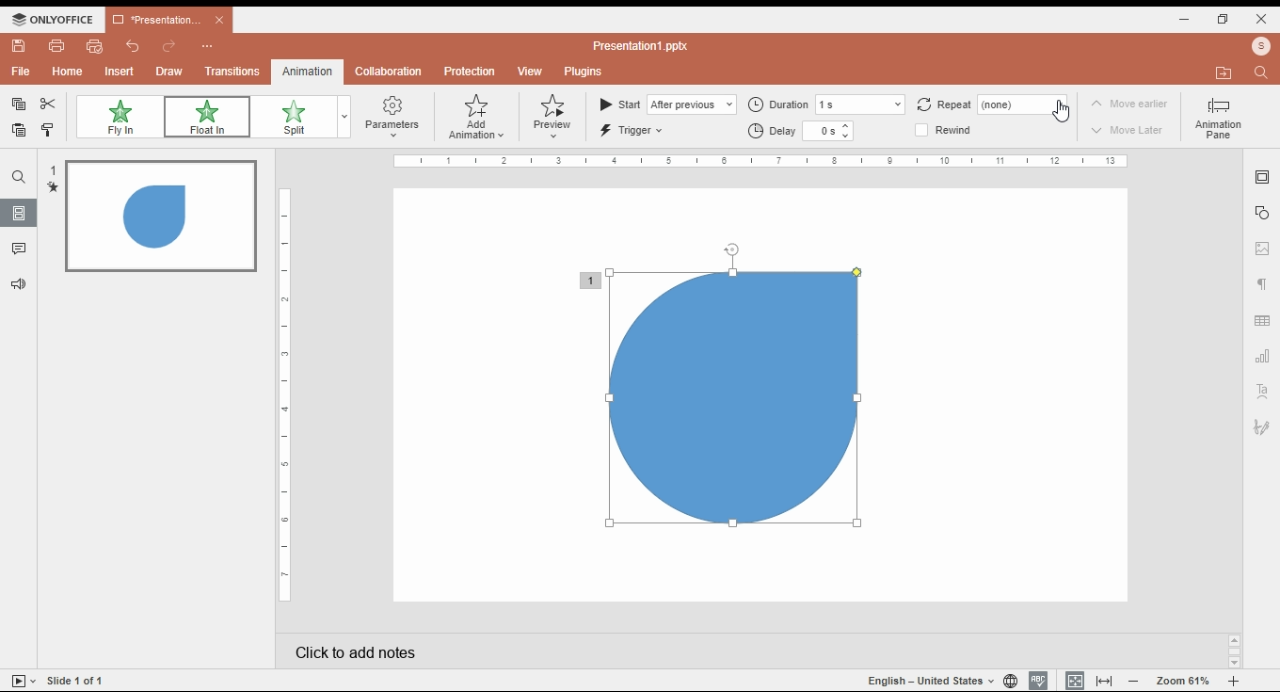 Image resolution: width=1280 pixels, height=692 pixels. Describe the element at coordinates (233, 71) in the screenshot. I see `transitions` at that location.